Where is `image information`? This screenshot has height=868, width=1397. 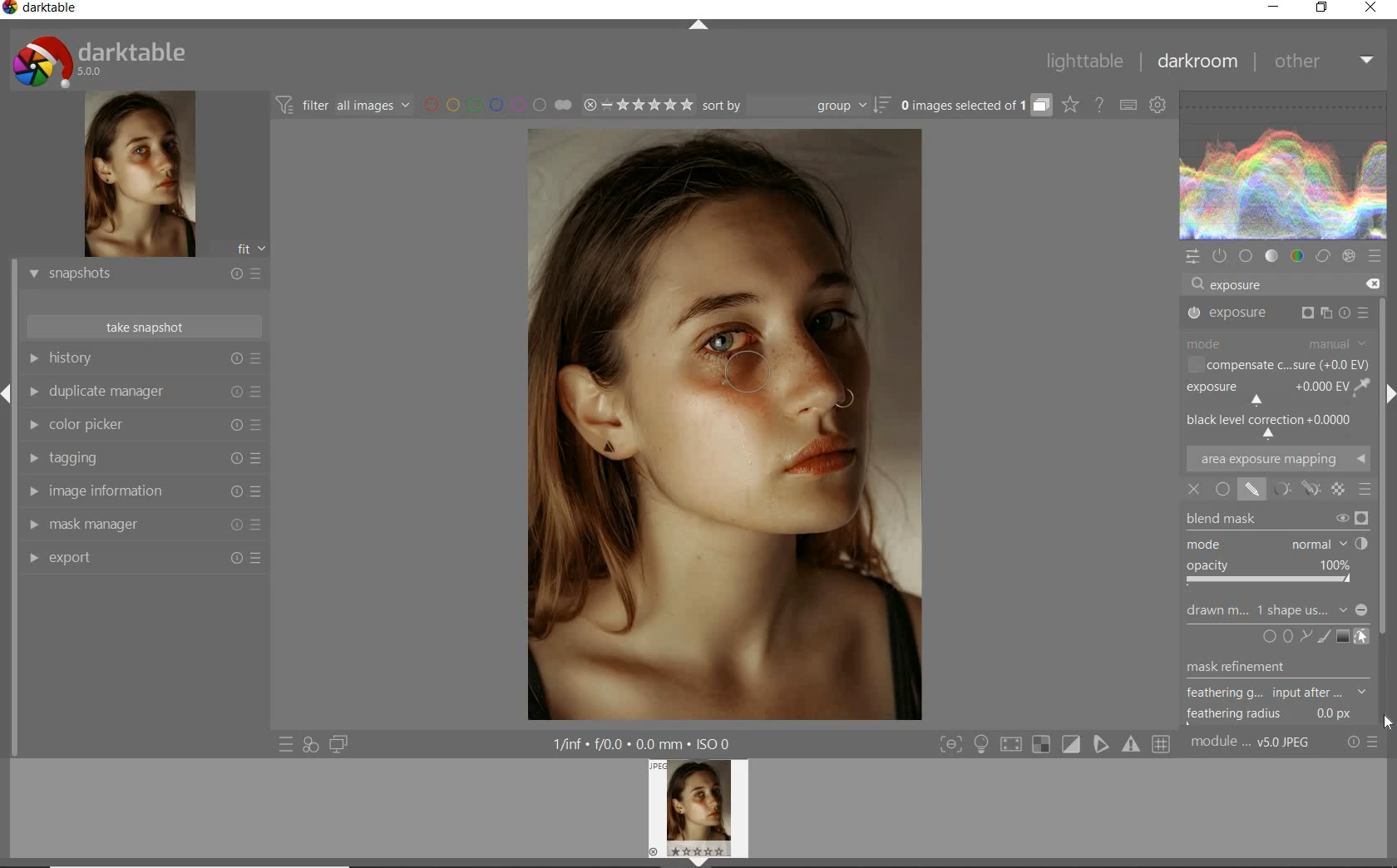
image information is located at coordinates (144, 491).